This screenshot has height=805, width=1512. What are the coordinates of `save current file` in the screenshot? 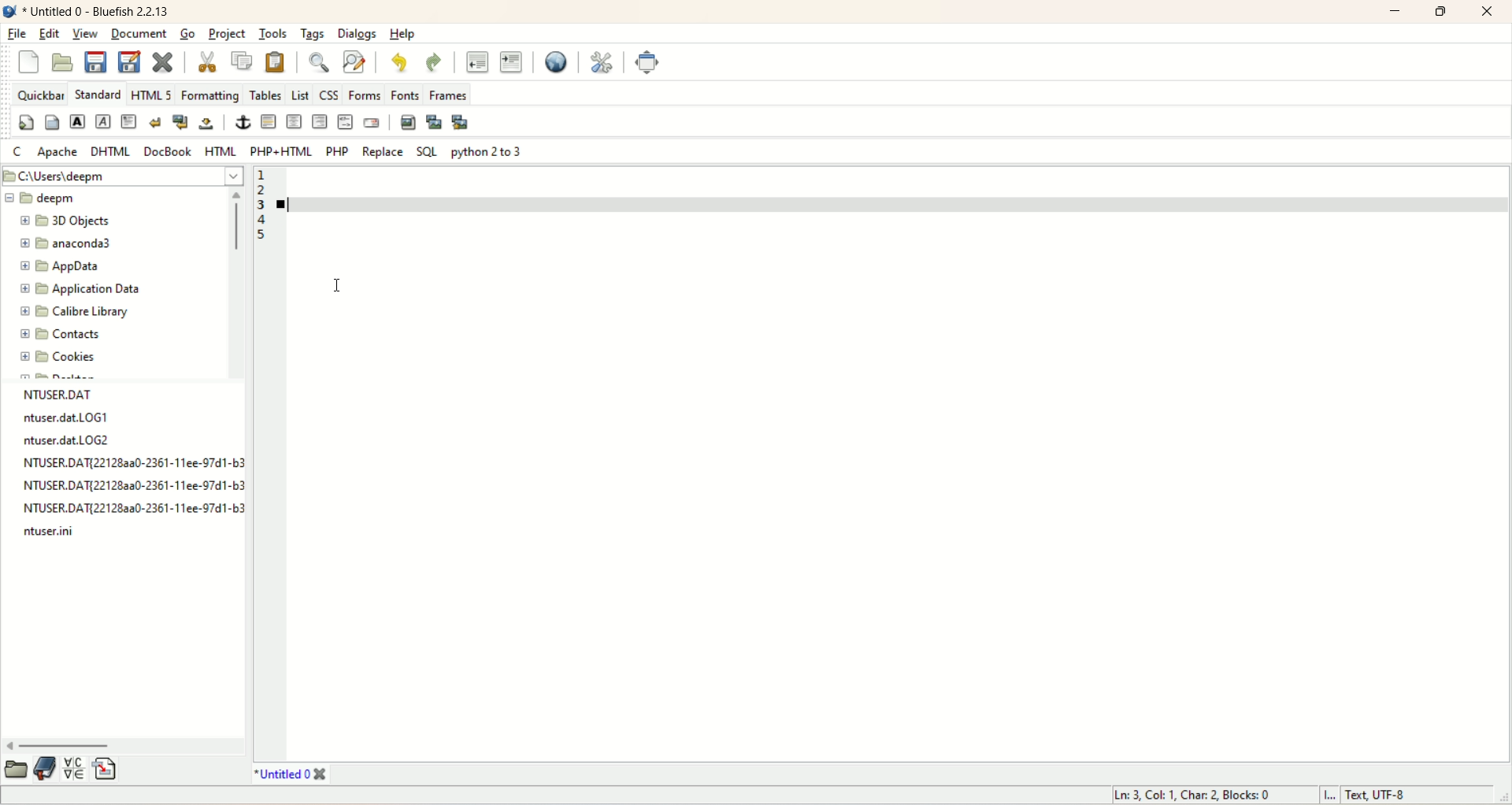 It's located at (96, 63).